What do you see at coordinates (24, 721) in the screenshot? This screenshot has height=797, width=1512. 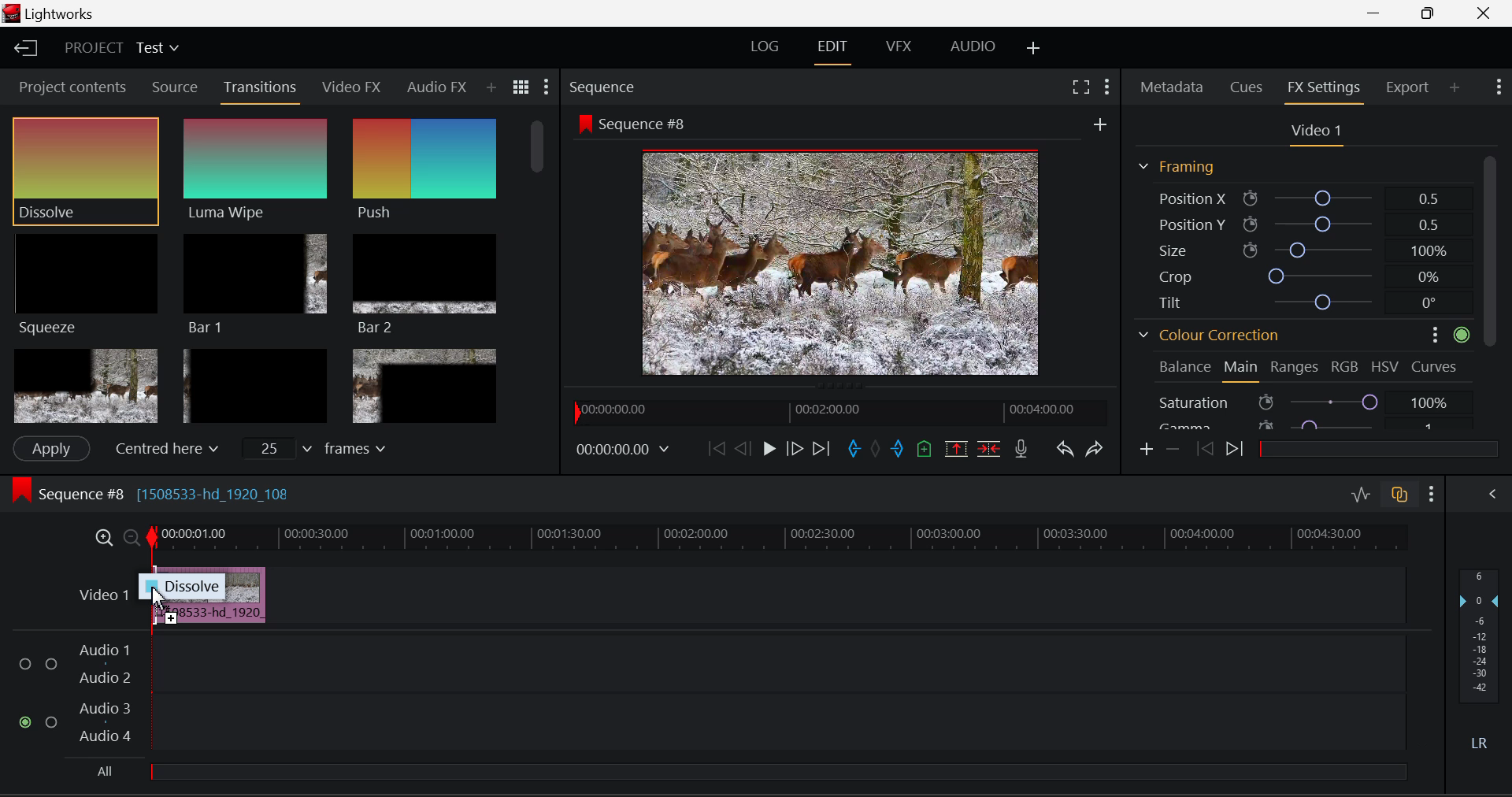 I see `Audio Input Checkbox` at bounding box center [24, 721].